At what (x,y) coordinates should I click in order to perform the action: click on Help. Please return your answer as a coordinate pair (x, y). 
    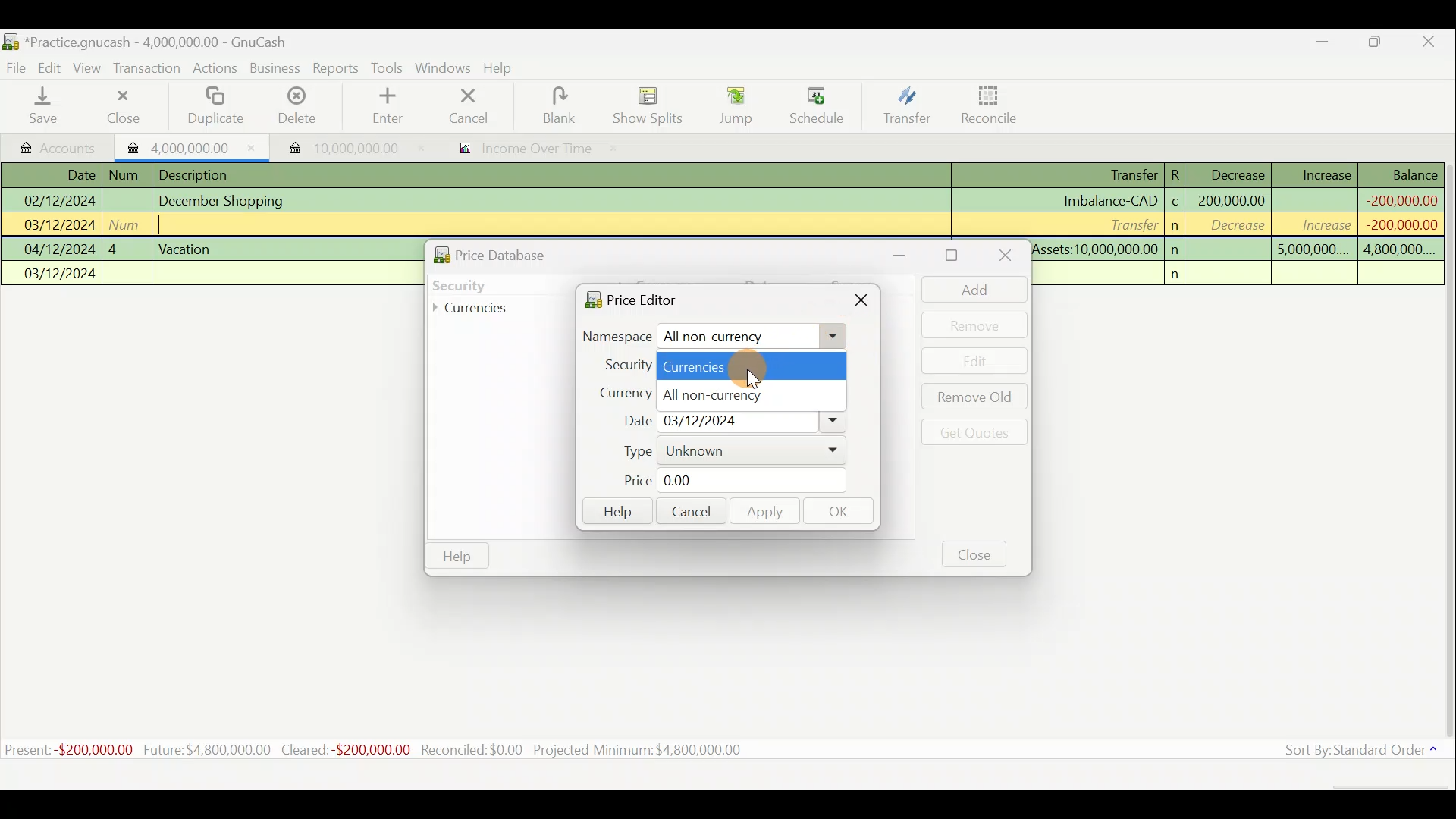
    Looking at the image, I should click on (504, 70).